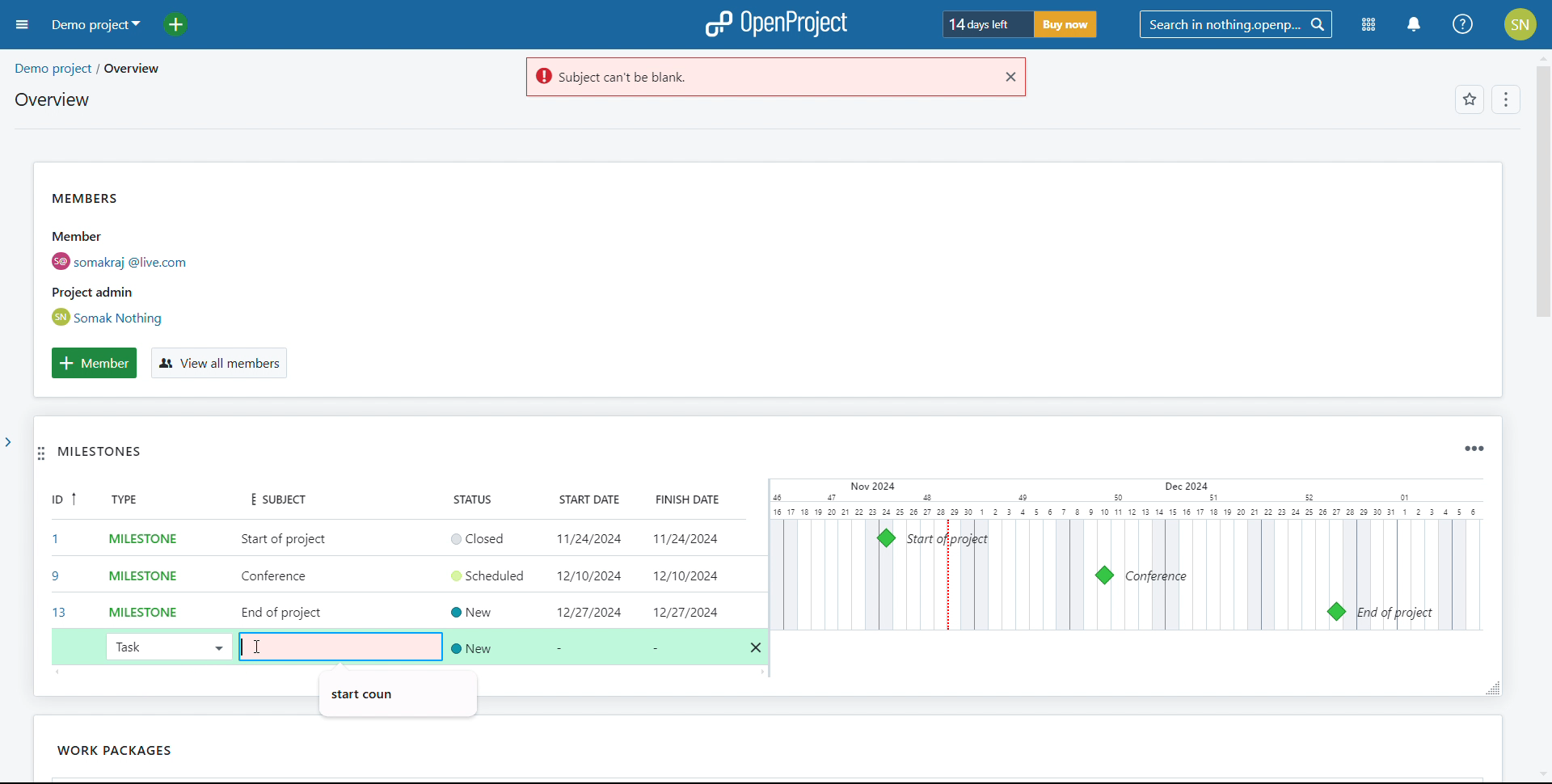 The width and height of the screenshot is (1552, 784). What do you see at coordinates (1413, 25) in the screenshot?
I see `notification` at bounding box center [1413, 25].